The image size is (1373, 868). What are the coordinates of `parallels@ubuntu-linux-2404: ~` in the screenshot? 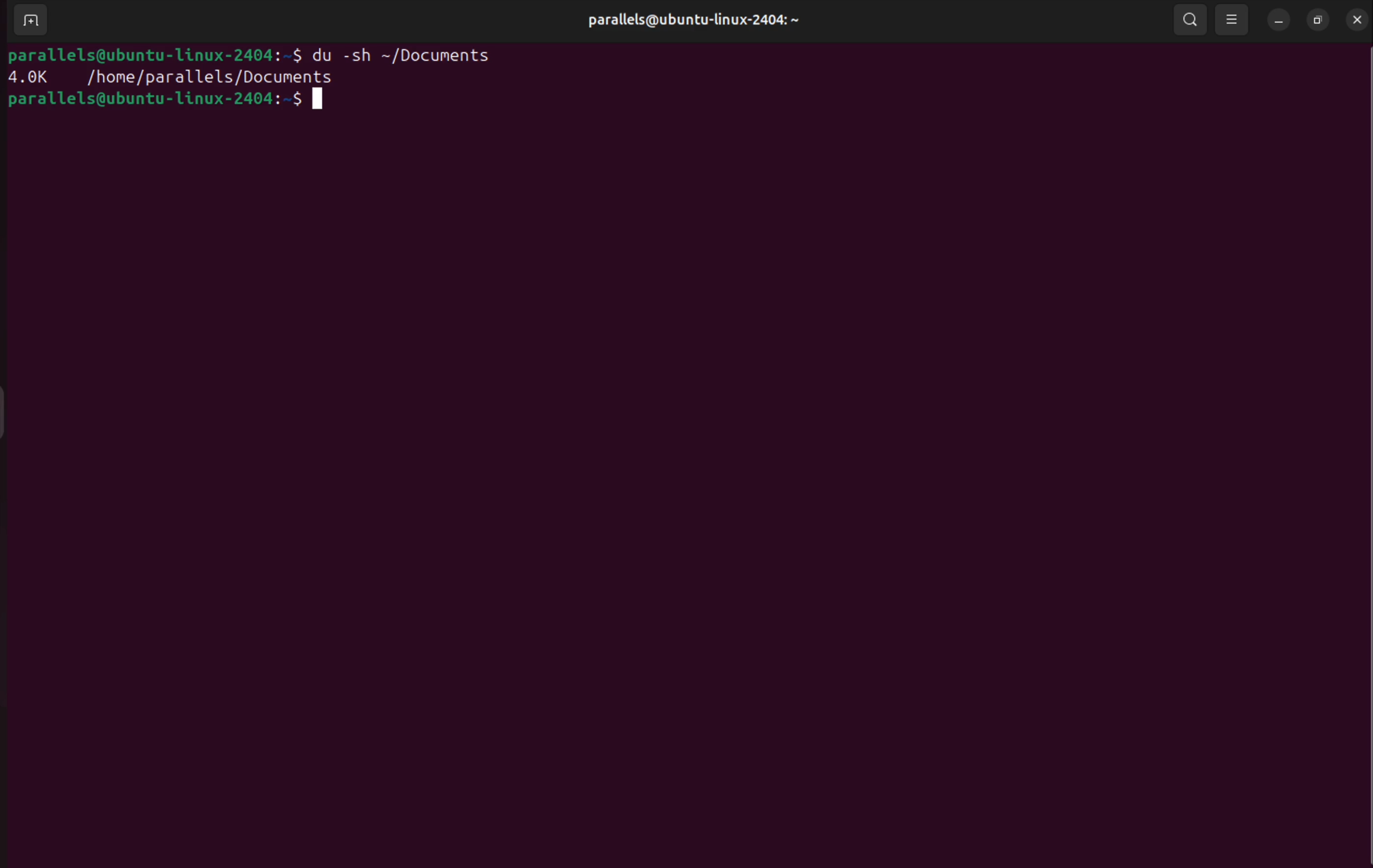 It's located at (693, 21).